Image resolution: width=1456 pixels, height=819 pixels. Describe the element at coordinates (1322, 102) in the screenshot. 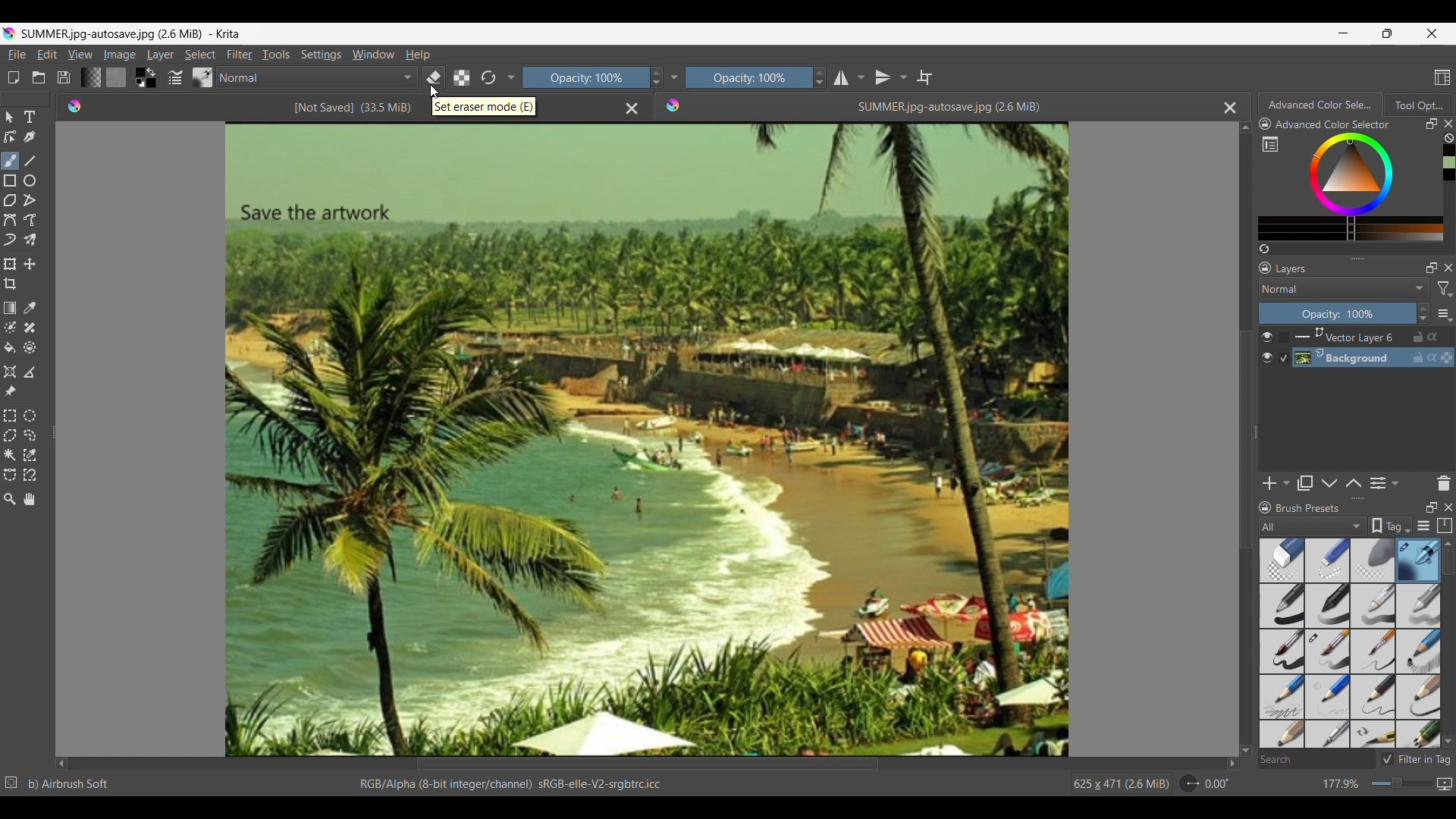

I see `Advanced color Selector` at that location.